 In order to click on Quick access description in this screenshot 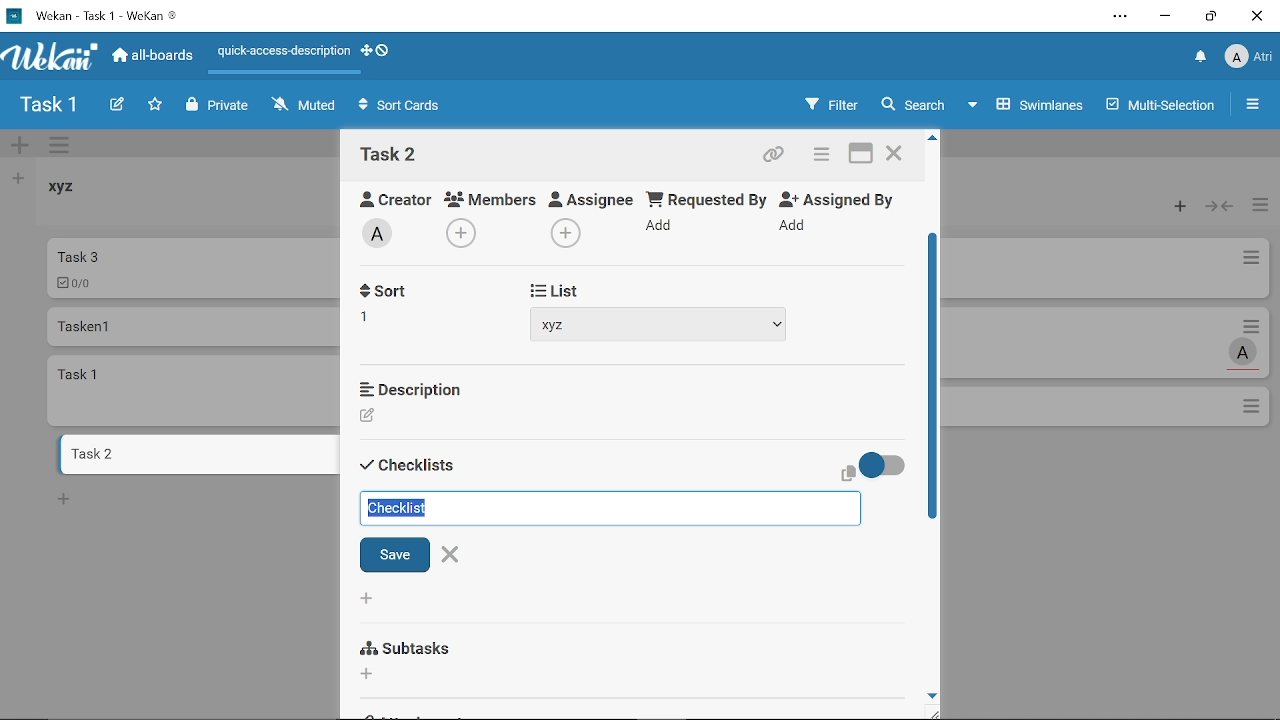, I will do `click(280, 55)`.